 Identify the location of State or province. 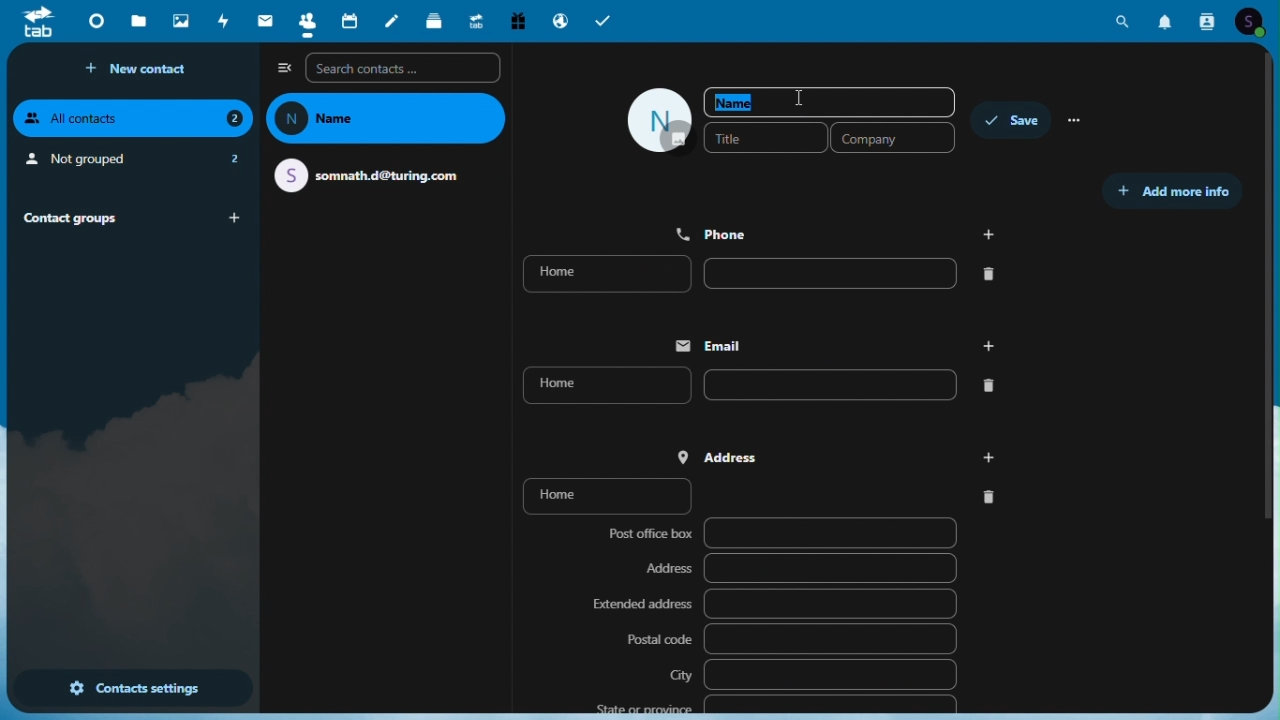
(773, 704).